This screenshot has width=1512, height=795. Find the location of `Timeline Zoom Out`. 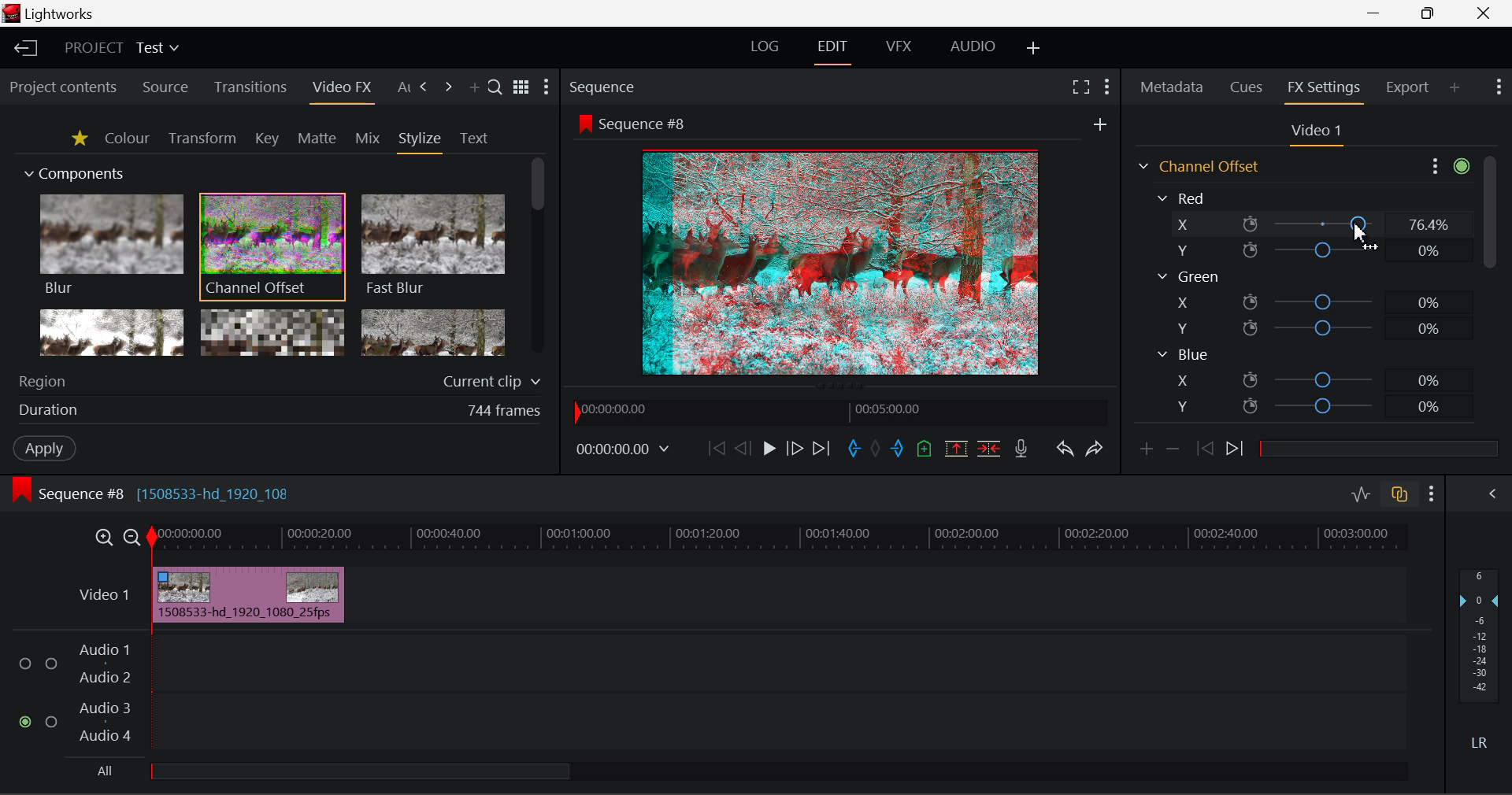

Timeline Zoom Out is located at coordinates (134, 539).